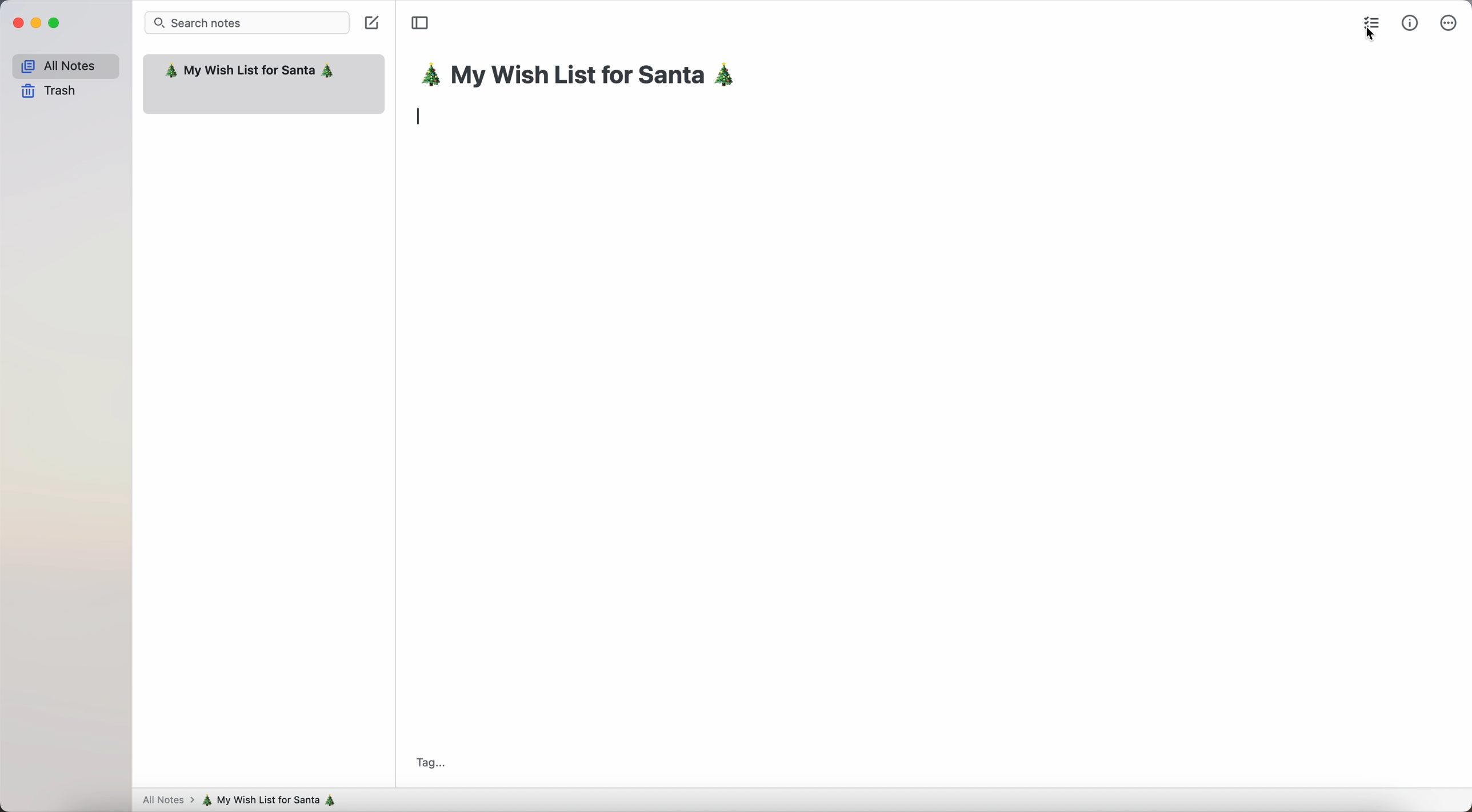  Describe the element at coordinates (1369, 22) in the screenshot. I see `check list` at that location.